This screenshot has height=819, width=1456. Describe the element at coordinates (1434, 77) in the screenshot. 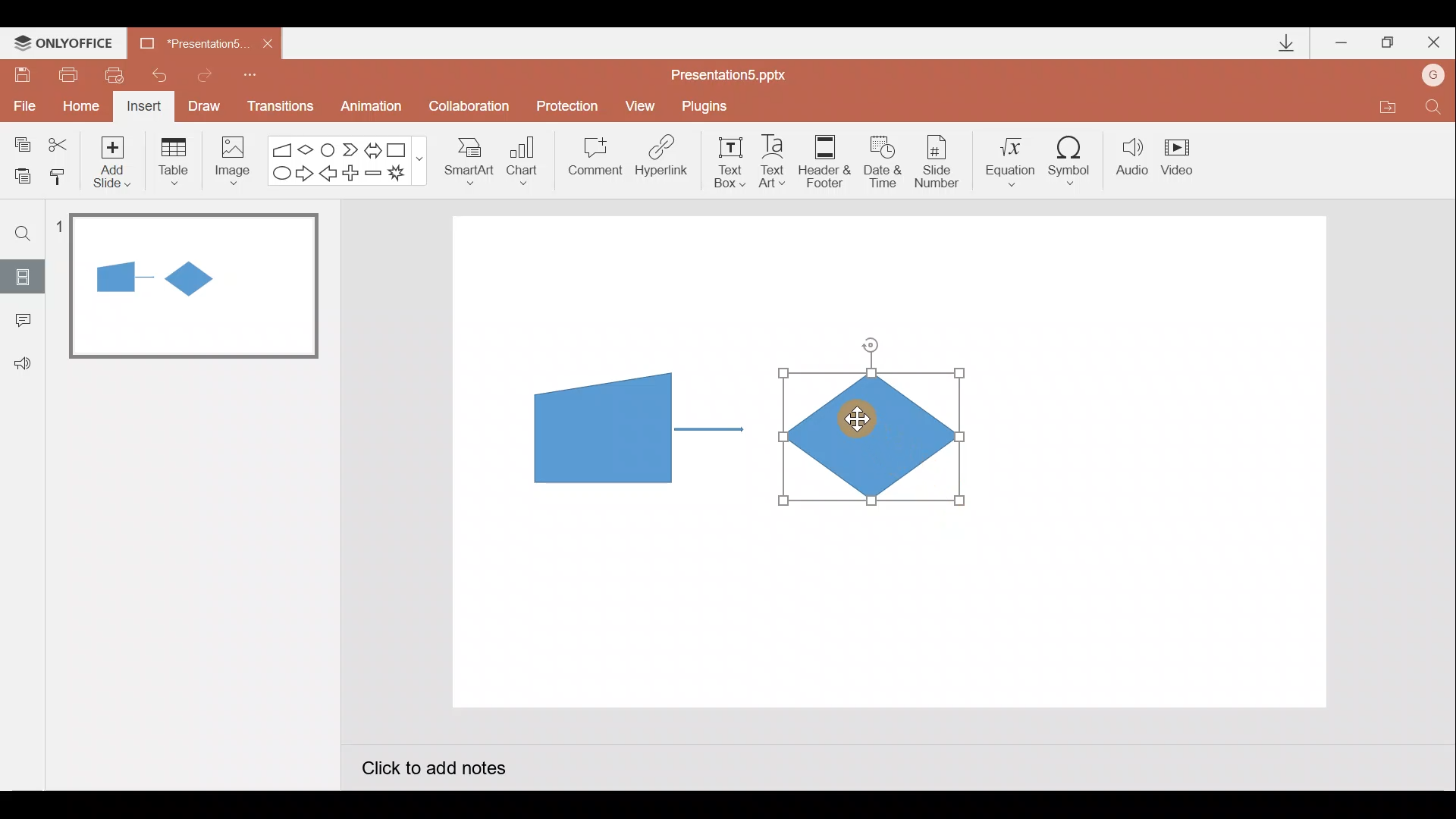

I see `Account name` at that location.